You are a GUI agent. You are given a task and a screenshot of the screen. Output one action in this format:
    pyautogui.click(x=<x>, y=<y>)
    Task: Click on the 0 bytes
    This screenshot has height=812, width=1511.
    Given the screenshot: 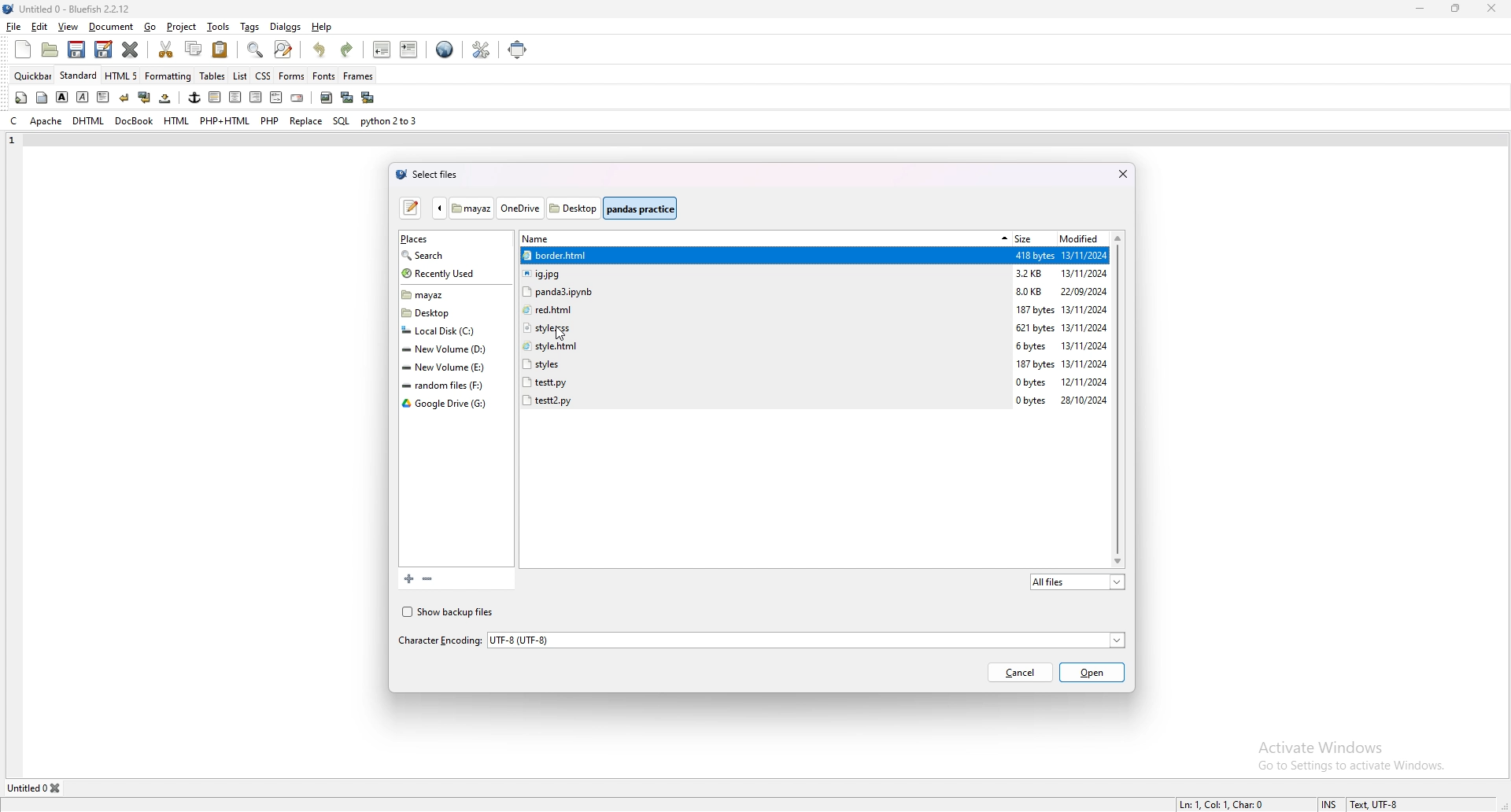 What is the action you would take?
    pyautogui.click(x=1033, y=400)
    